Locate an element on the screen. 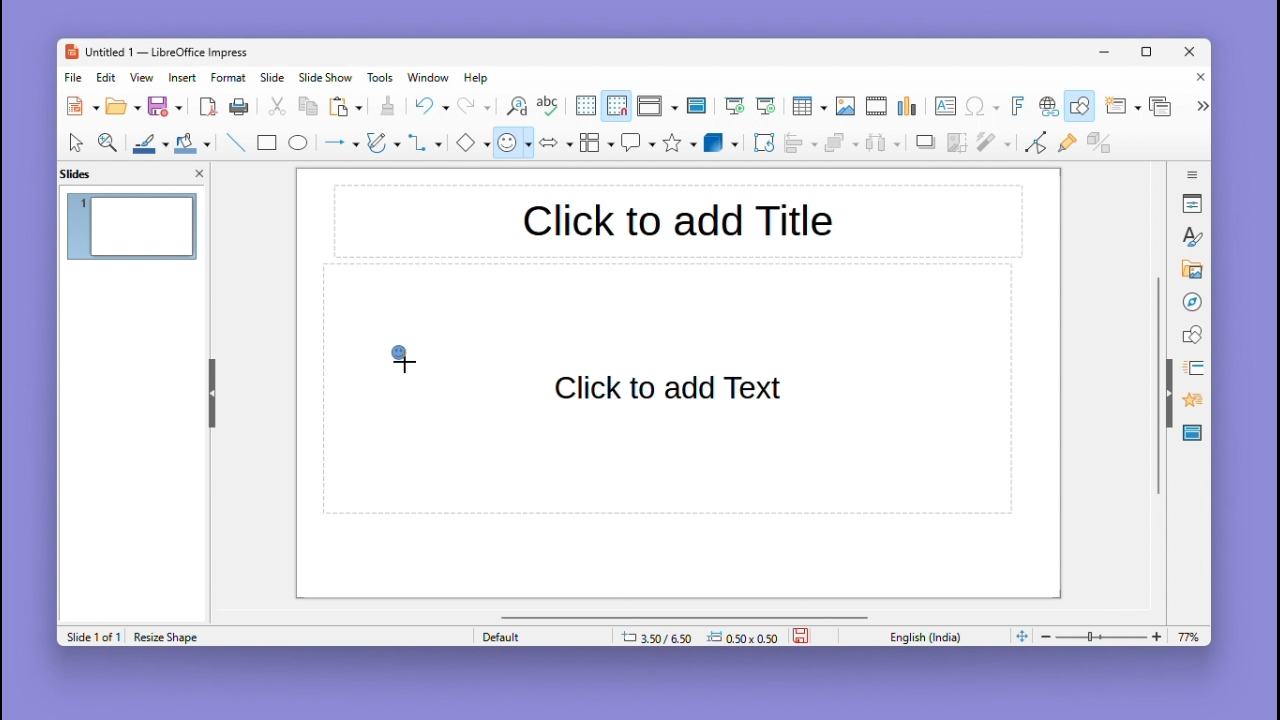 The image size is (1280, 720). Arrow is located at coordinates (339, 143).